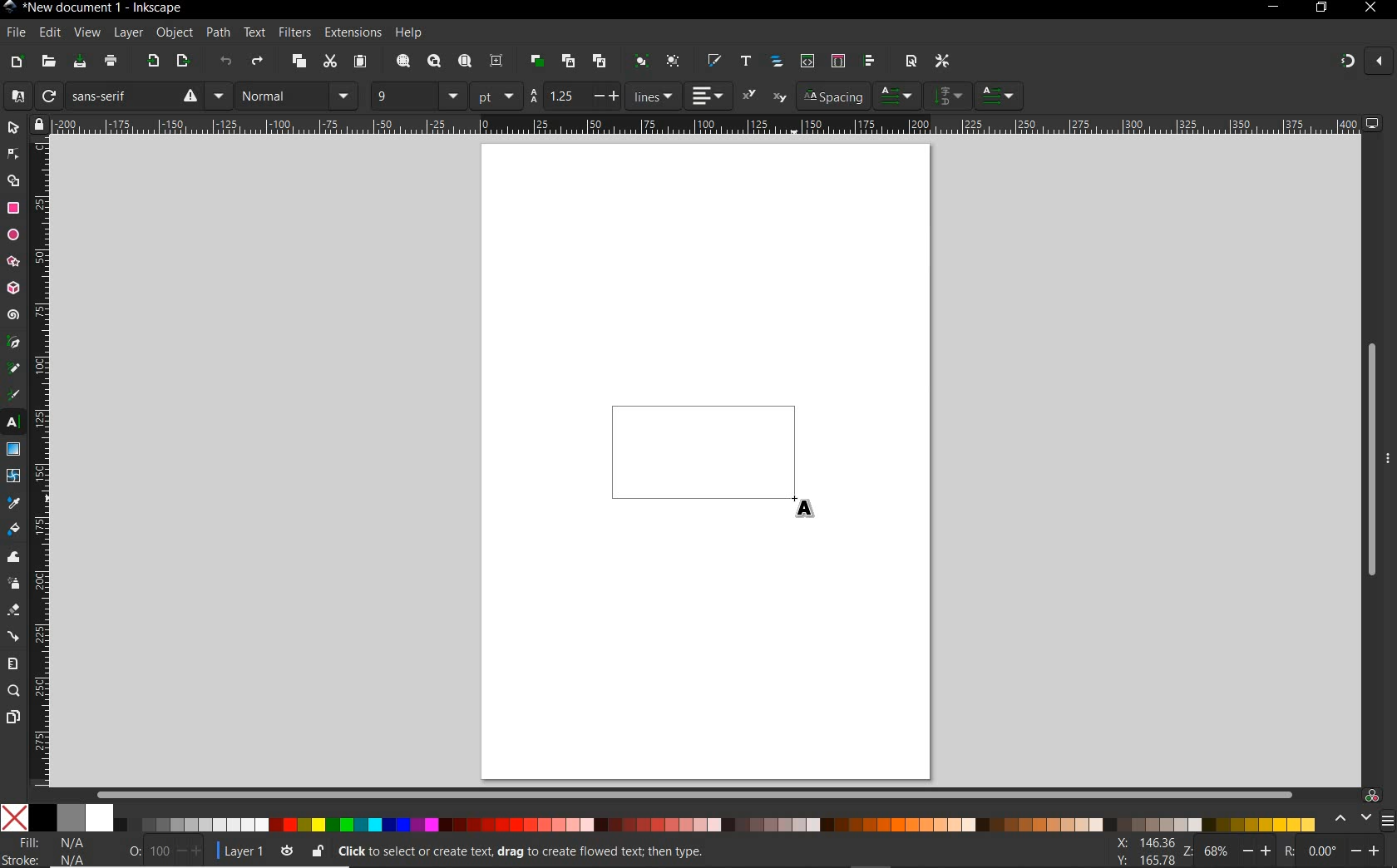 Image resolution: width=1397 pixels, height=868 pixels. I want to click on undo, so click(226, 64).